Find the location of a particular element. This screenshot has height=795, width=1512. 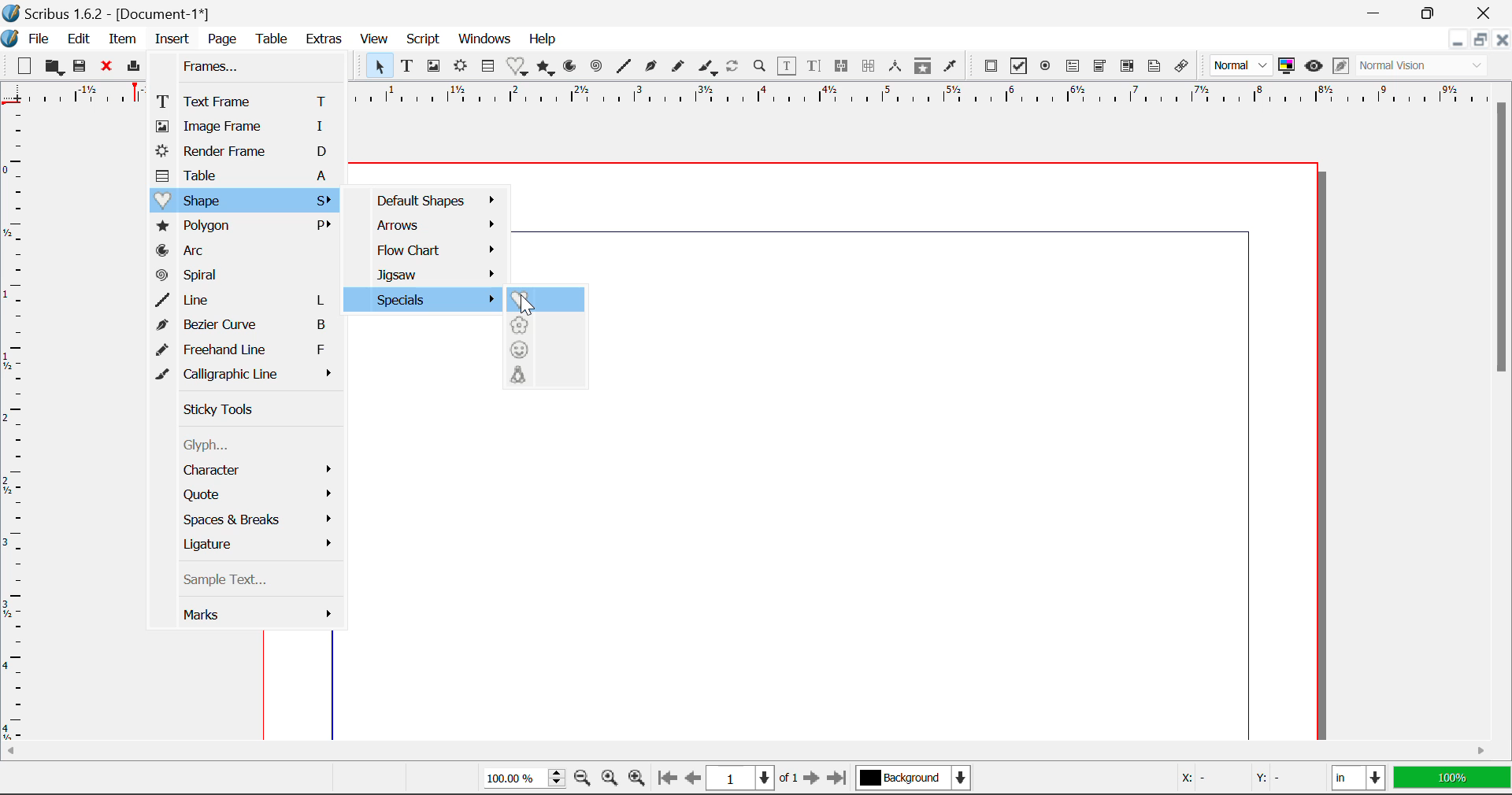

Save is located at coordinates (84, 68).